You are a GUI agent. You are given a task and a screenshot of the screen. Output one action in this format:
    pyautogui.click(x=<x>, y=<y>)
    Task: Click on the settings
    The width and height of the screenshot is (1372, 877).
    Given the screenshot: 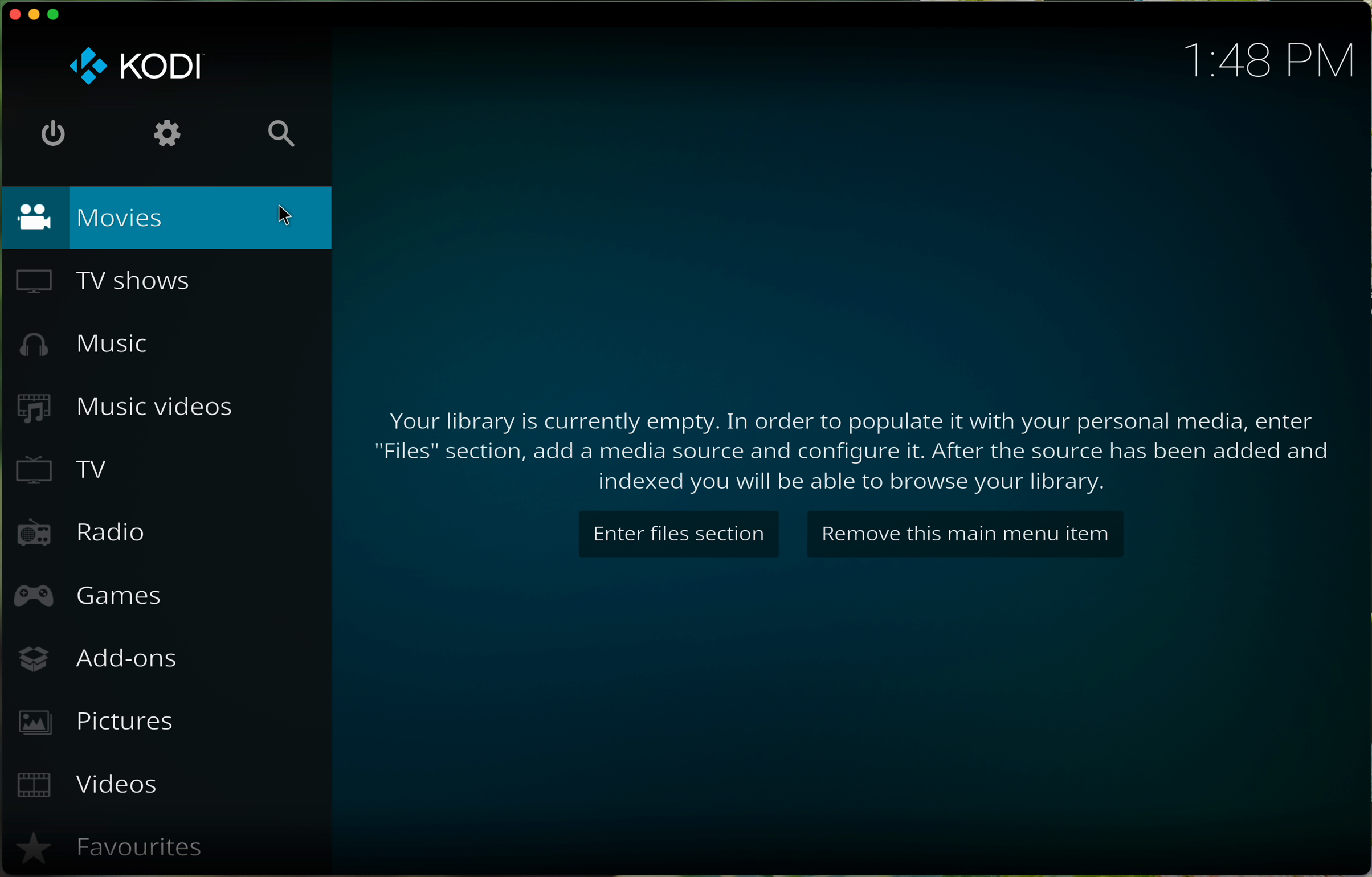 What is the action you would take?
    pyautogui.click(x=171, y=136)
    